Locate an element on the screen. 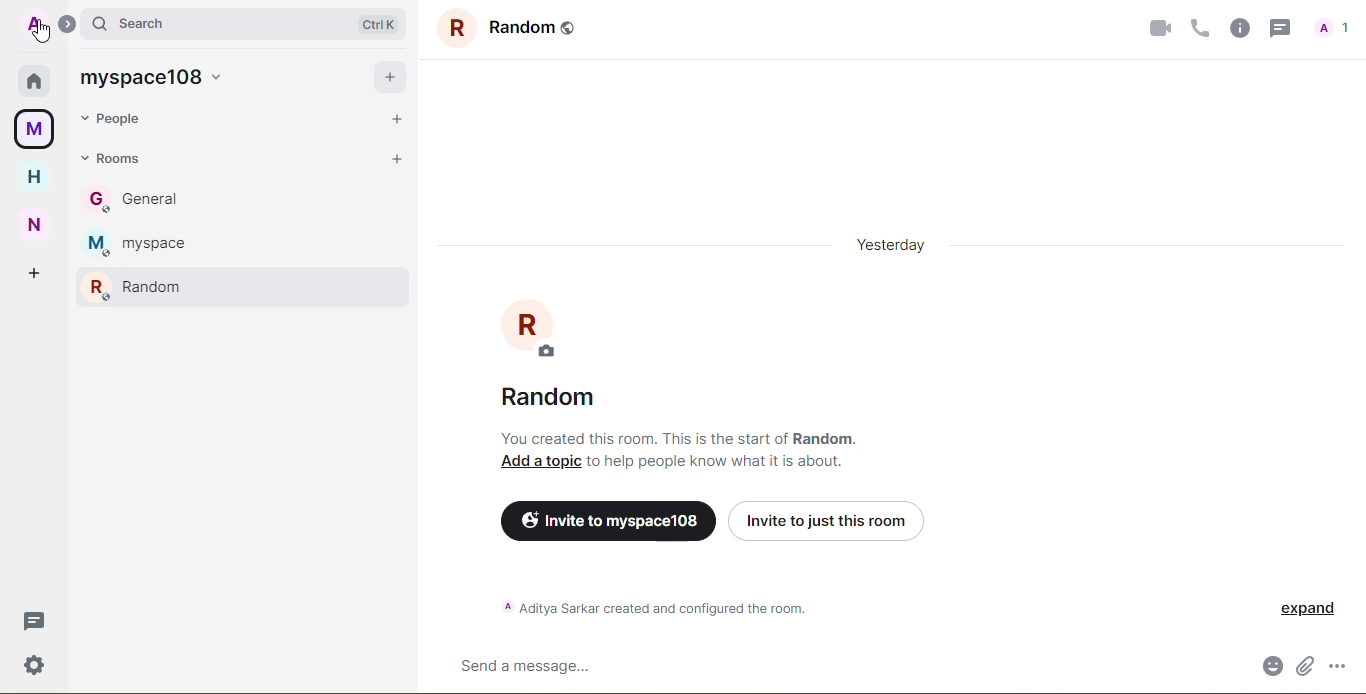 Image resolution: width=1366 pixels, height=694 pixels. room is located at coordinates (135, 199).